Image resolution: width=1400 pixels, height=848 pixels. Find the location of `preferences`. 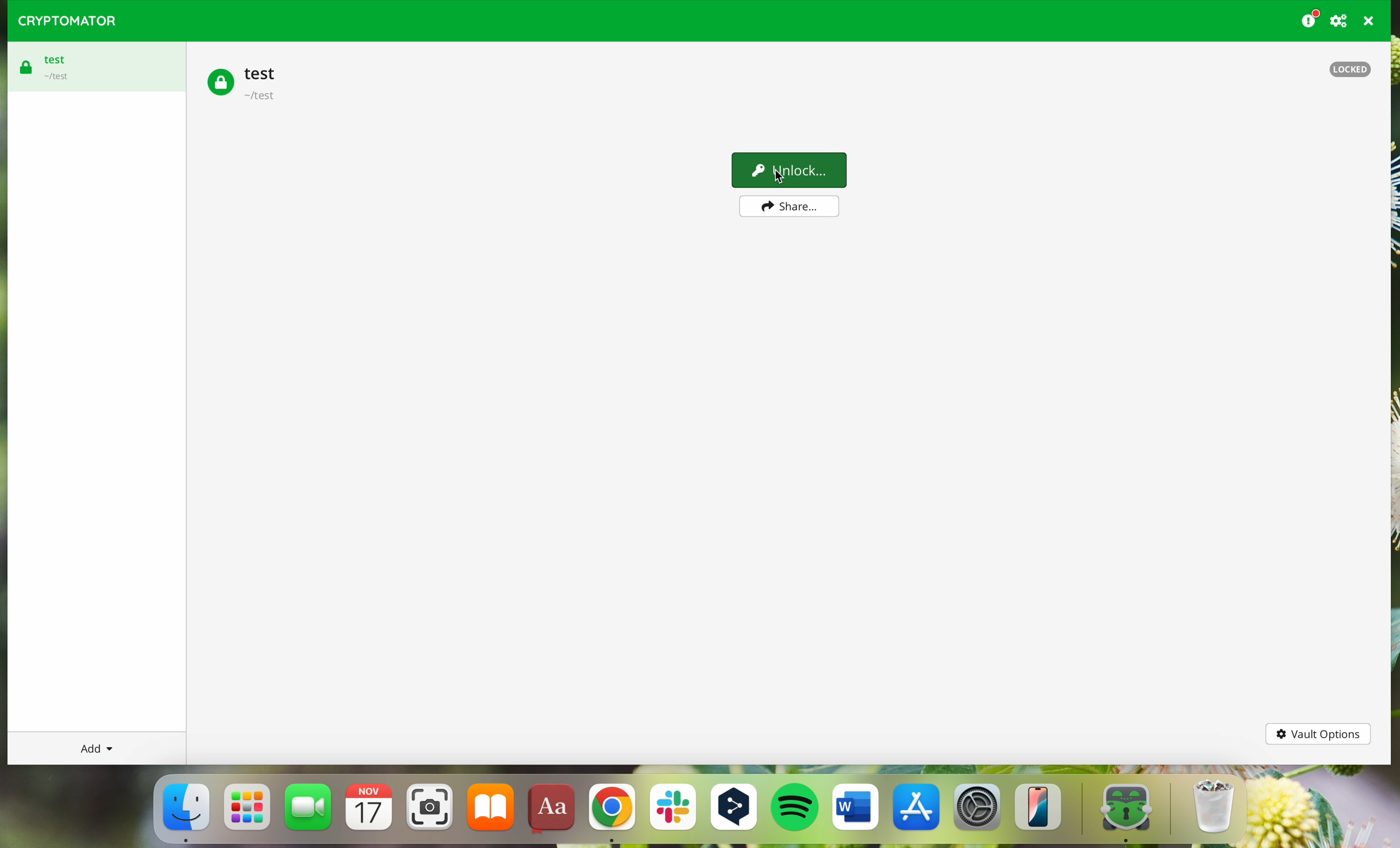

preferences is located at coordinates (1340, 20).